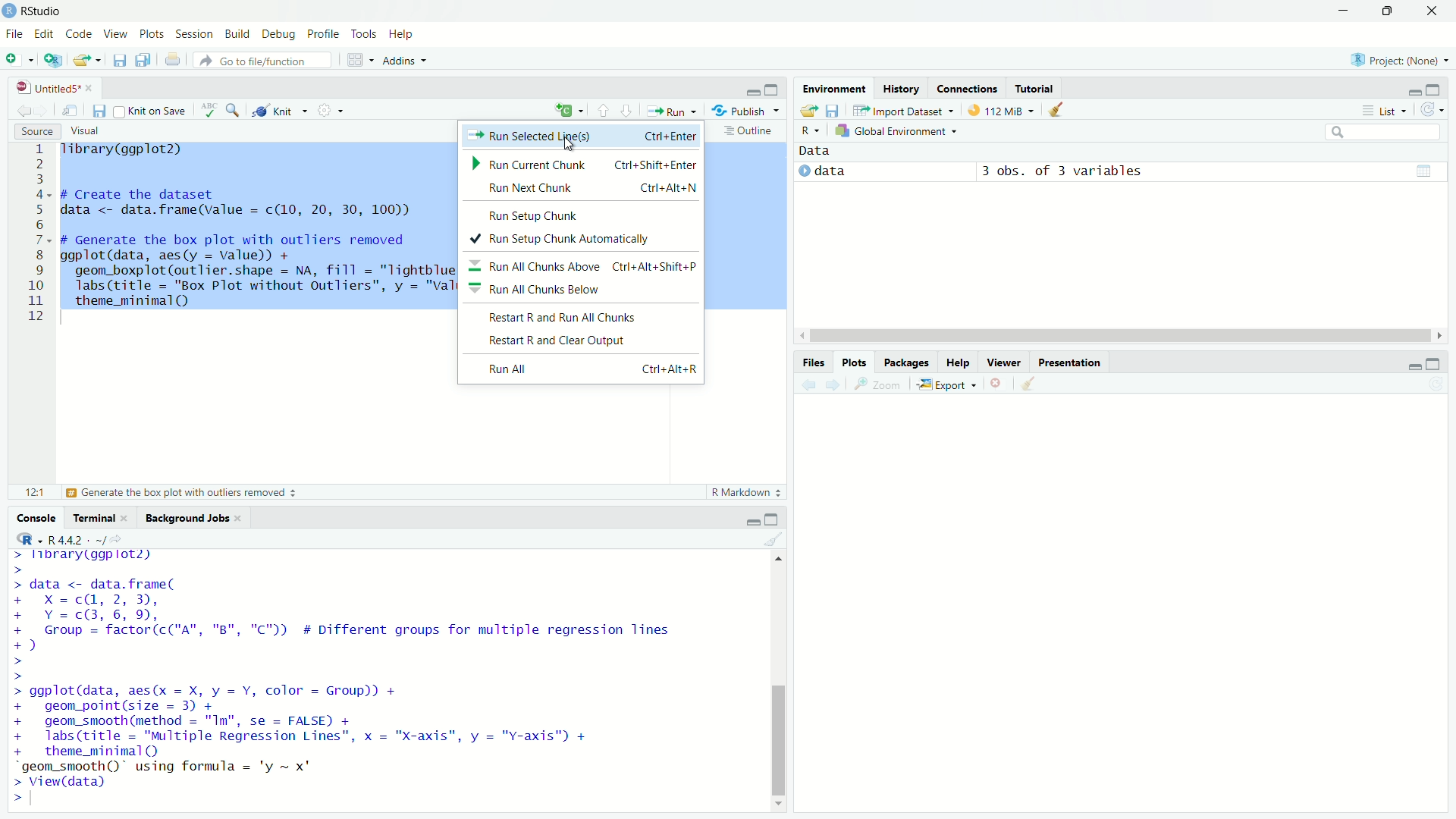 The height and width of the screenshot is (819, 1456). I want to click on clear, so click(1053, 111).